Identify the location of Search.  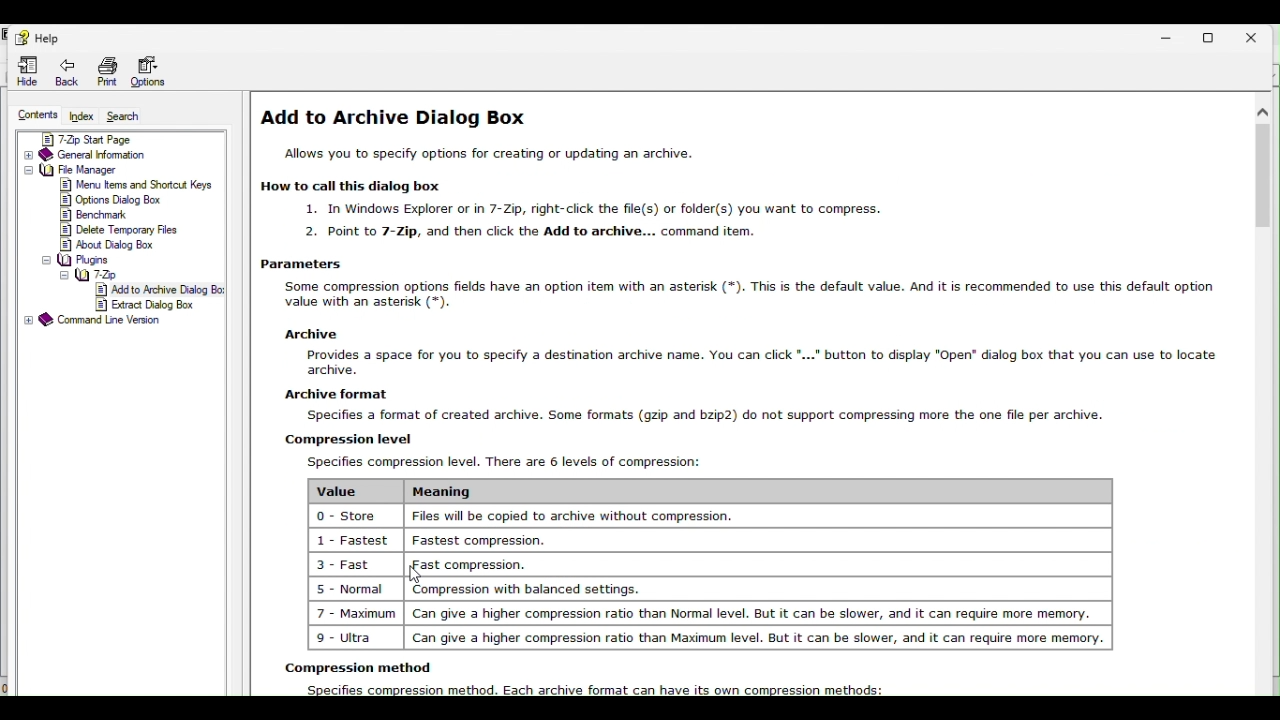
(129, 117).